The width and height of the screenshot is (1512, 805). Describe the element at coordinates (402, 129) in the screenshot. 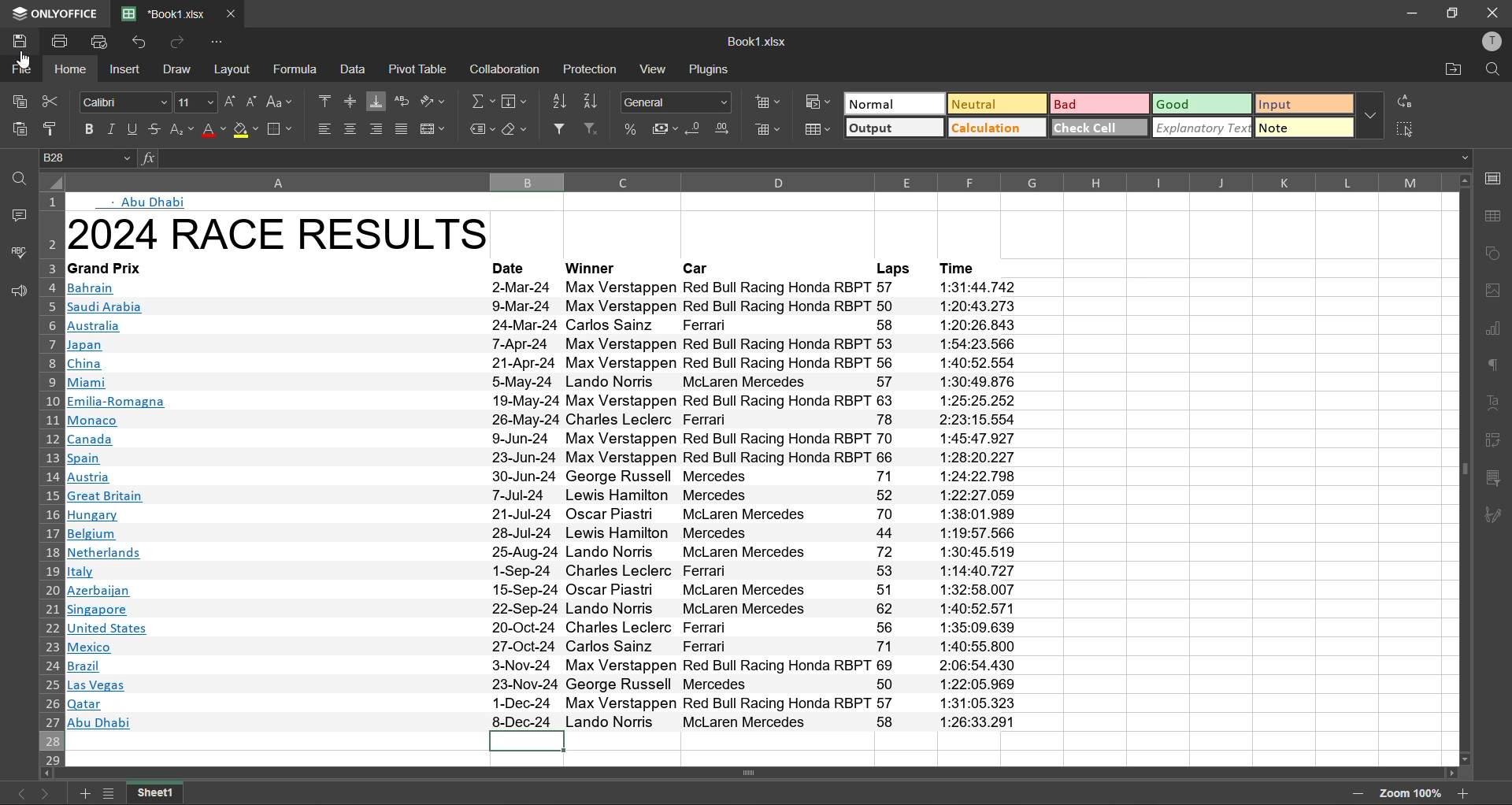

I see `justified` at that location.